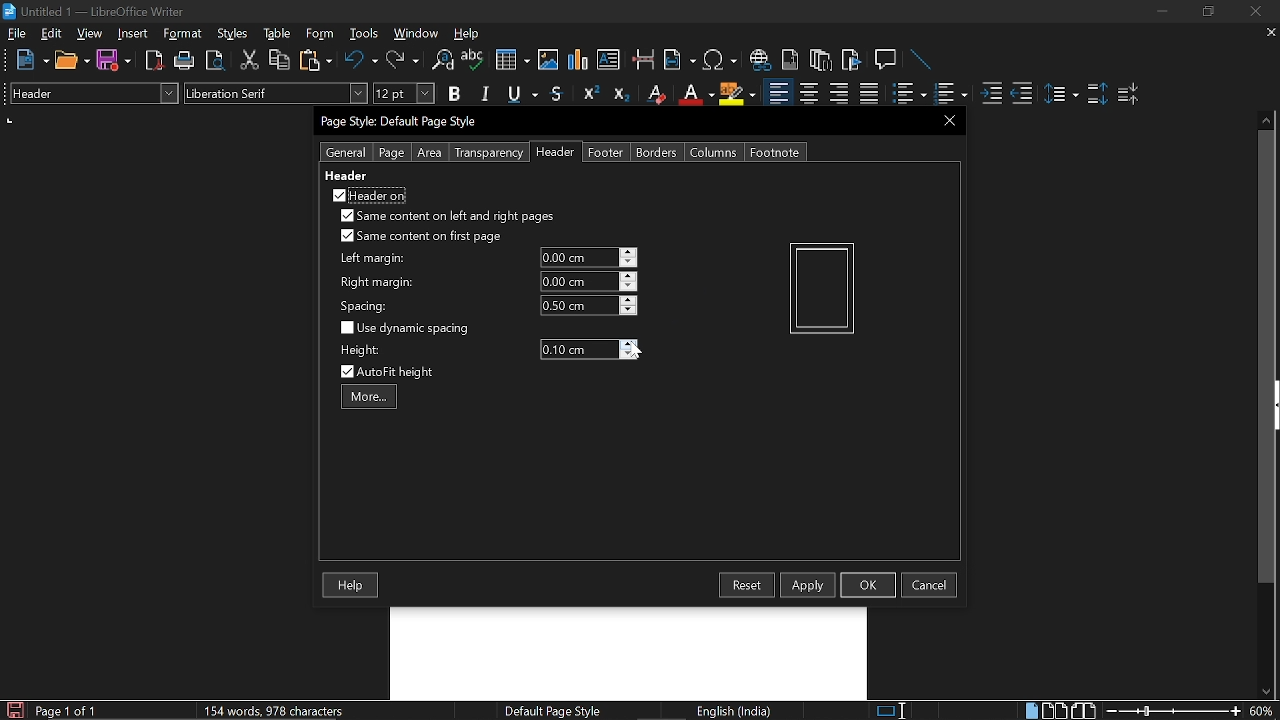  What do you see at coordinates (185, 61) in the screenshot?
I see `Print` at bounding box center [185, 61].